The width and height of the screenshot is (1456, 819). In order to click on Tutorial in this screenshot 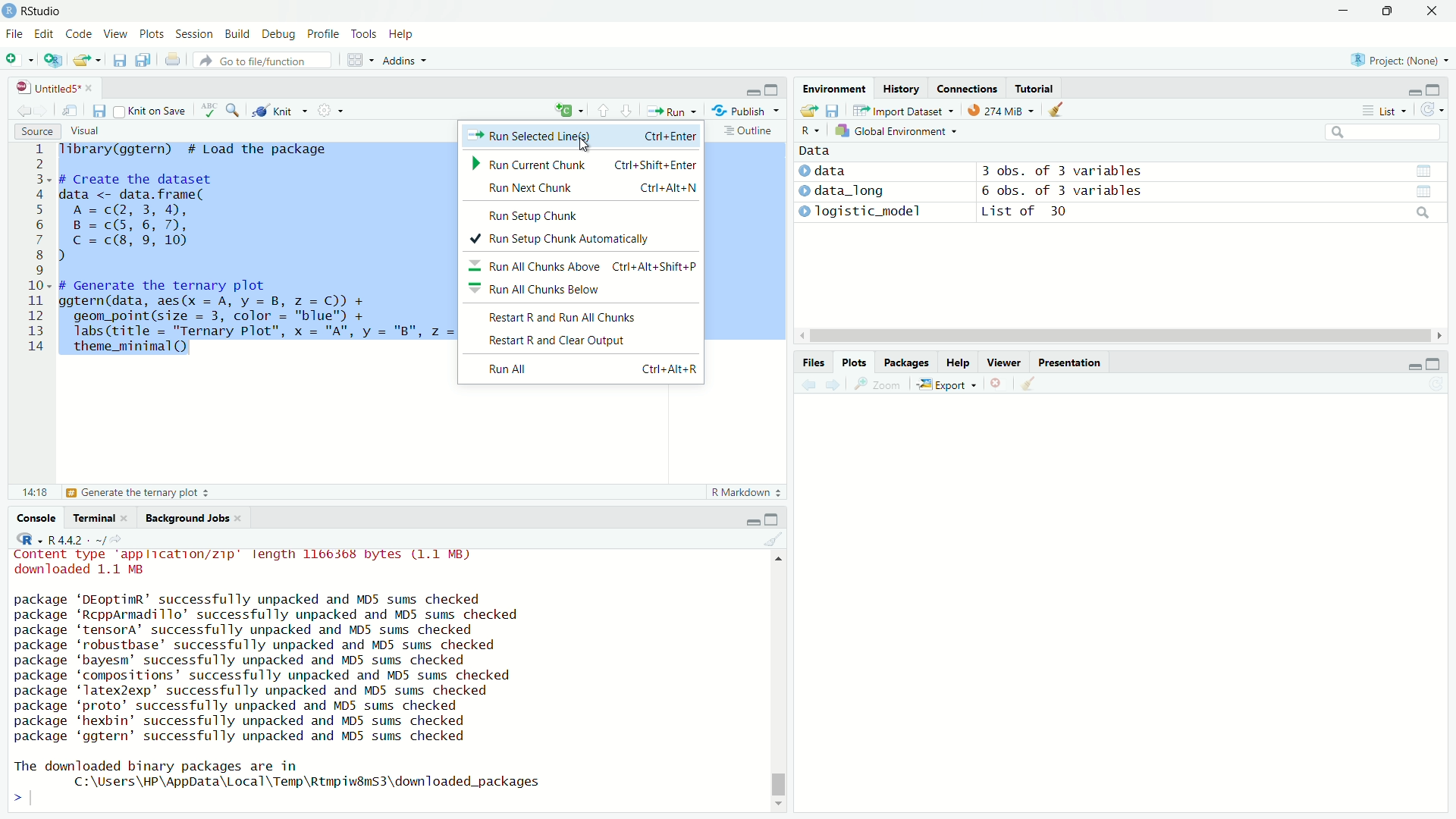, I will do `click(1036, 87)`.